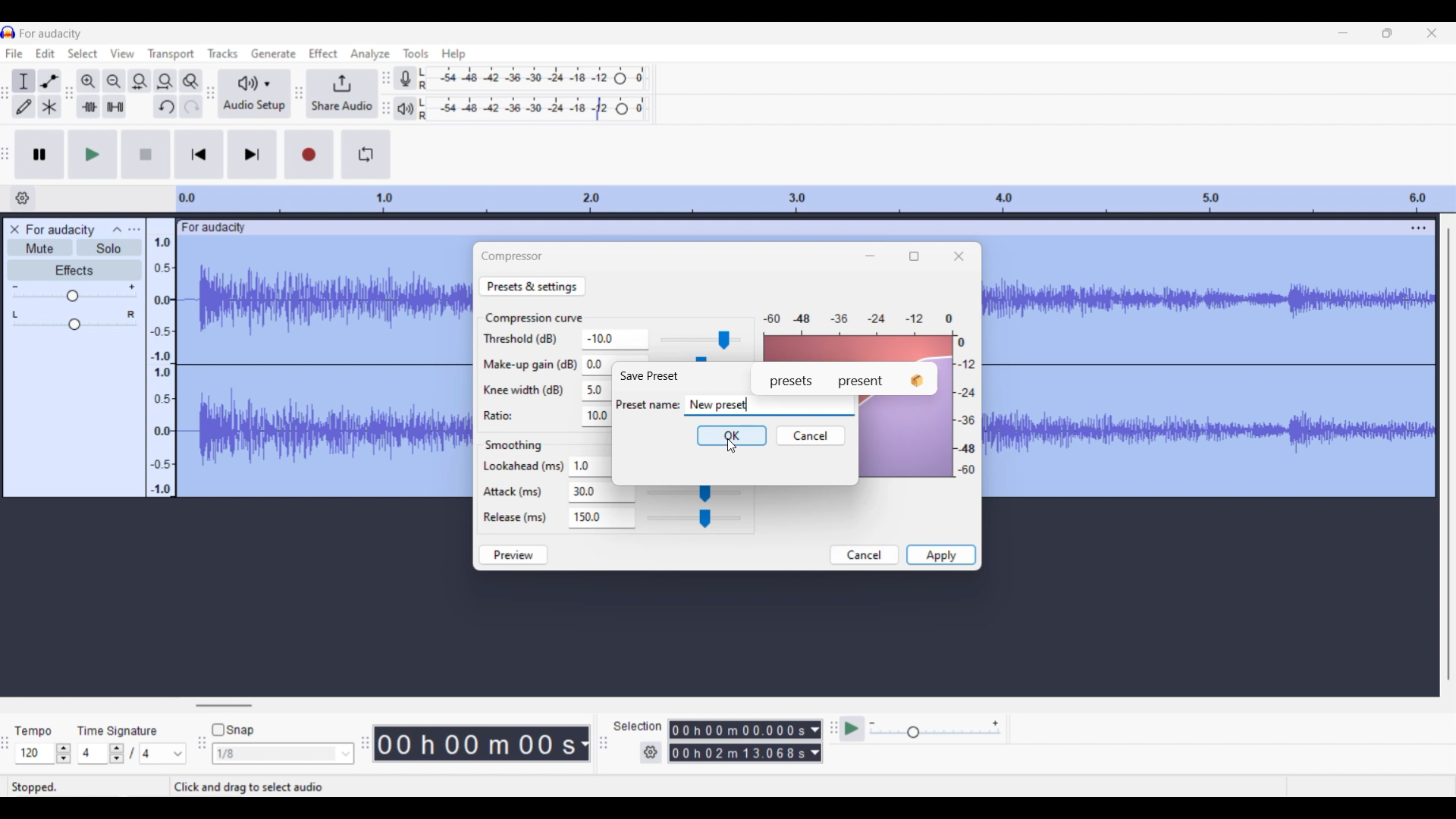  What do you see at coordinates (454, 55) in the screenshot?
I see `Help` at bounding box center [454, 55].